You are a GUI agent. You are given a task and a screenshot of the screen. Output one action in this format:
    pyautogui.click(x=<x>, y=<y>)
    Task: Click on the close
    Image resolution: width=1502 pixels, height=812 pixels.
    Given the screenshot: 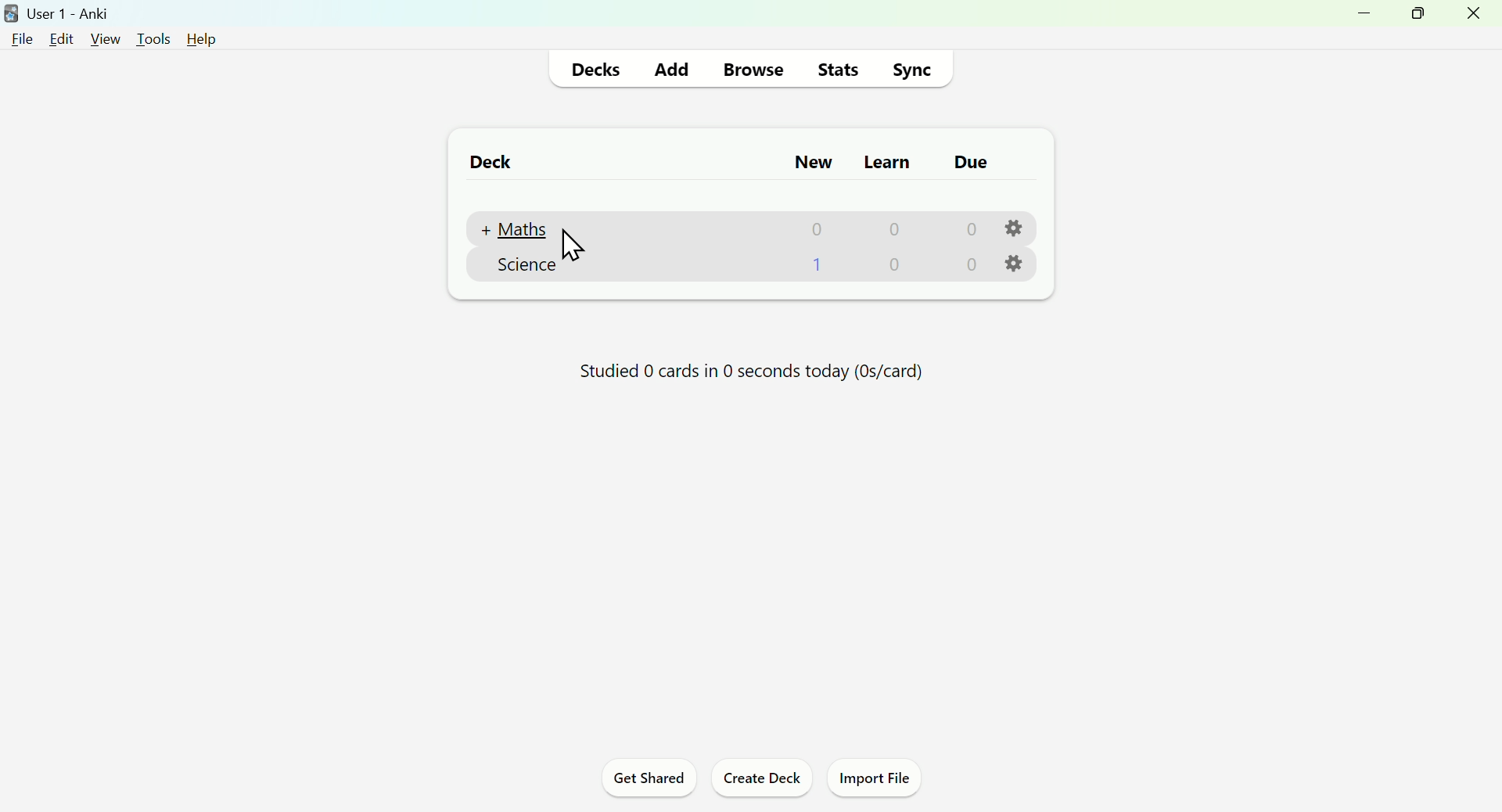 What is the action you would take?
    pyautogui.click(x=1474, y=16)
    